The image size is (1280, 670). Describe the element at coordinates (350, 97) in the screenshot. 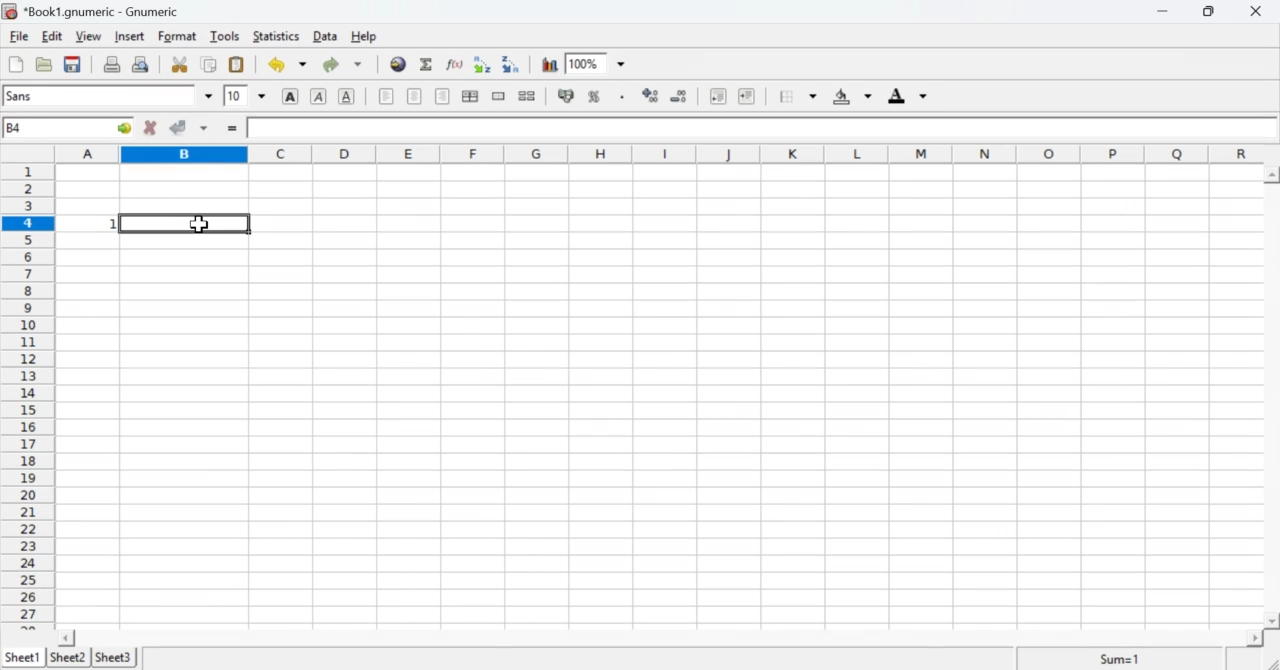

I see `Underline` at that location.